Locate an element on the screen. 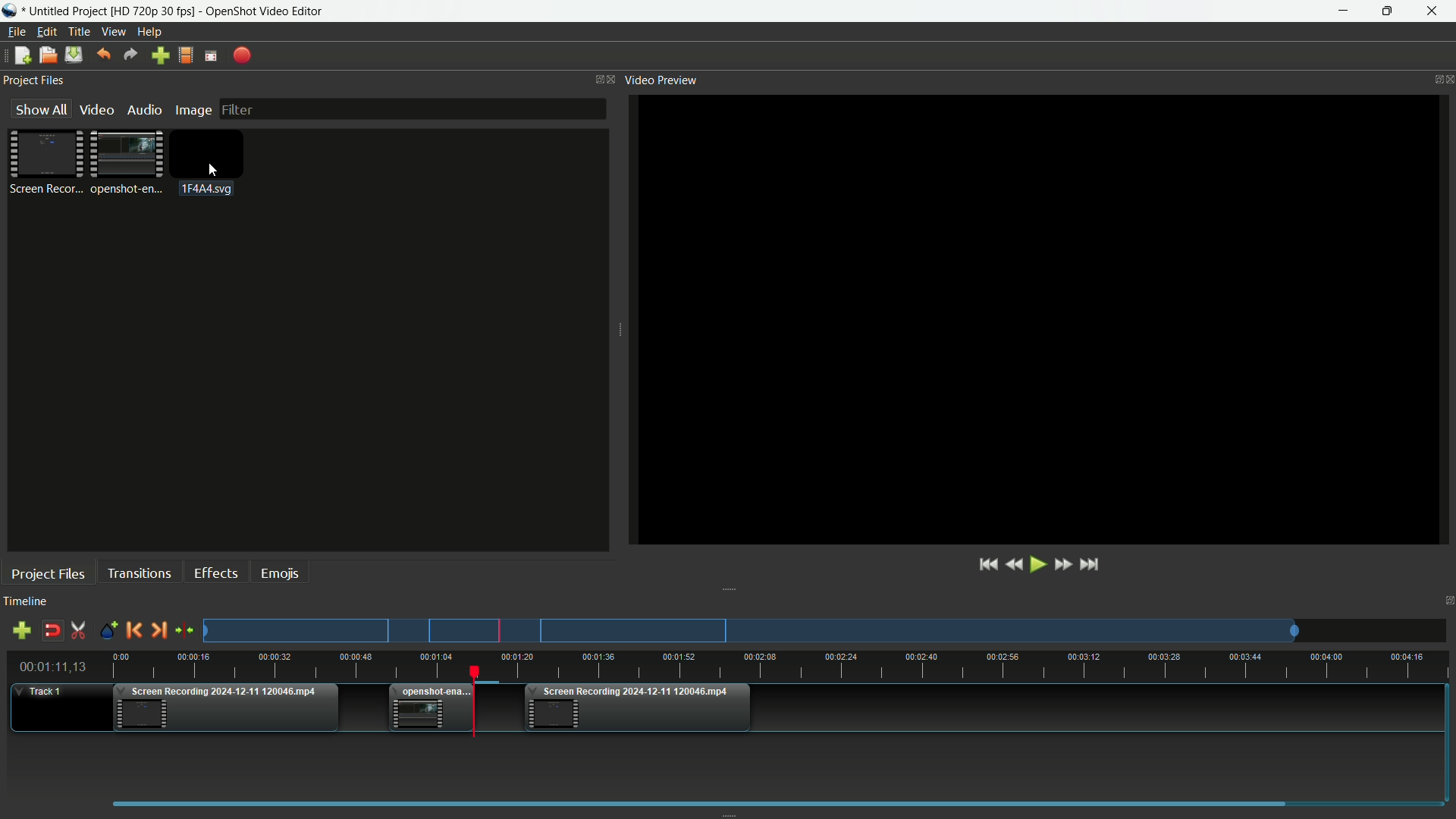 The width and height of the screenshot is (1456, 819). close video preview is located at coordinates (1447, 78).